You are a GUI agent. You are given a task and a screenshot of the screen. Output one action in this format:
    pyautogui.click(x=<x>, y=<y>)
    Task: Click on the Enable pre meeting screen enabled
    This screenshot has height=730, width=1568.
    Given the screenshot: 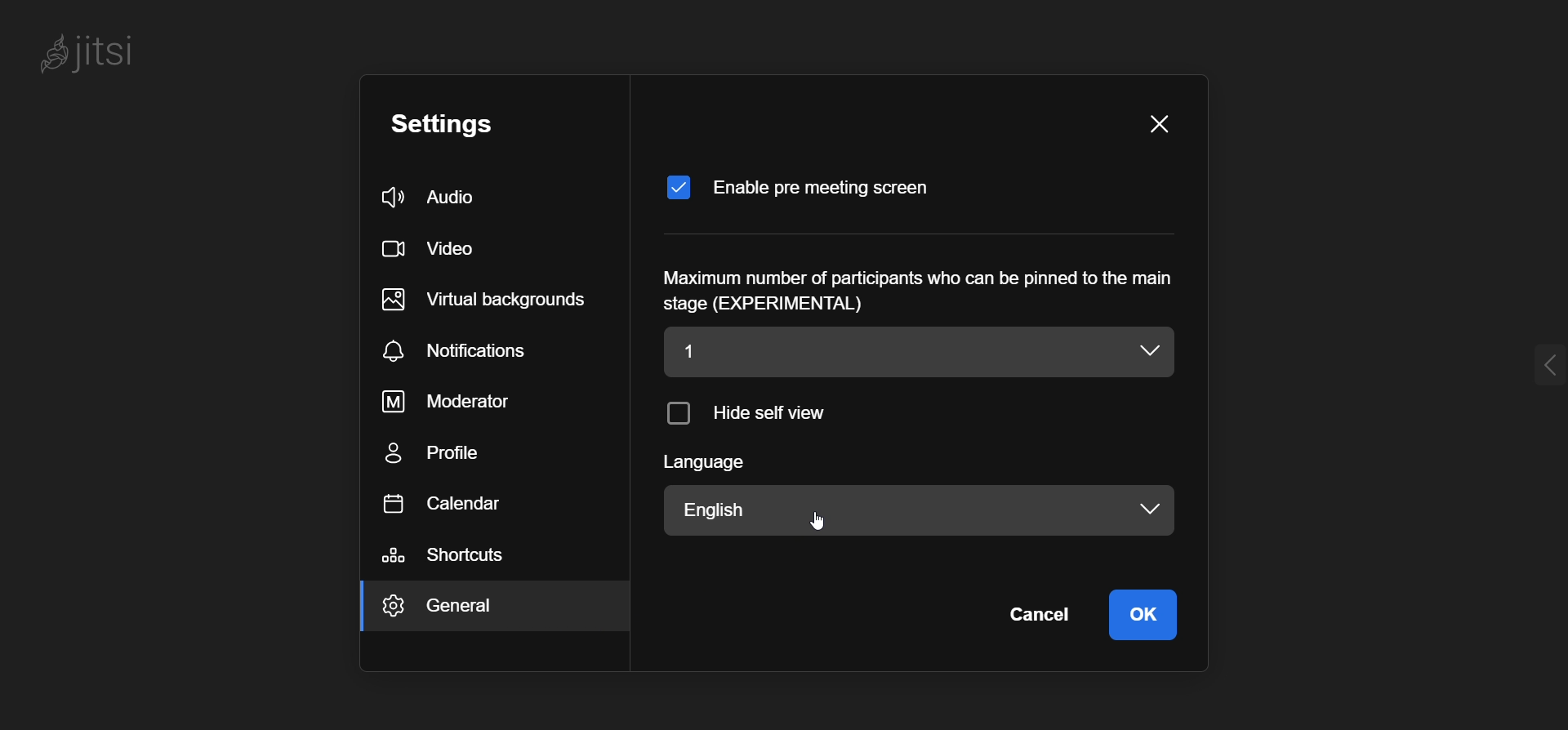 What is the action you would take?
    pyautogui.click(x=807, y=180)
    